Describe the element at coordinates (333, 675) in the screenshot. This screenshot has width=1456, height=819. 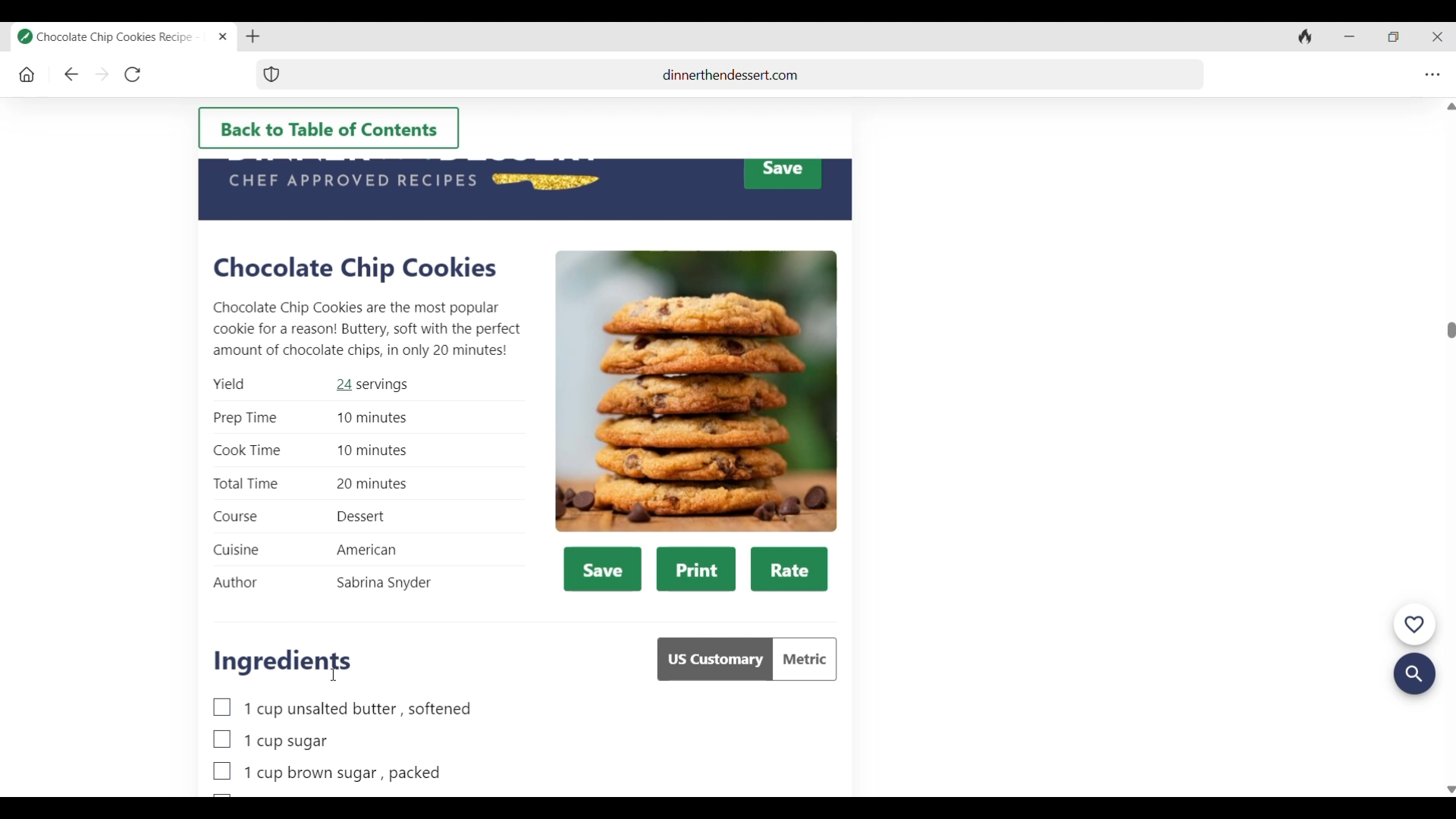
I see `Cursor` at that location.